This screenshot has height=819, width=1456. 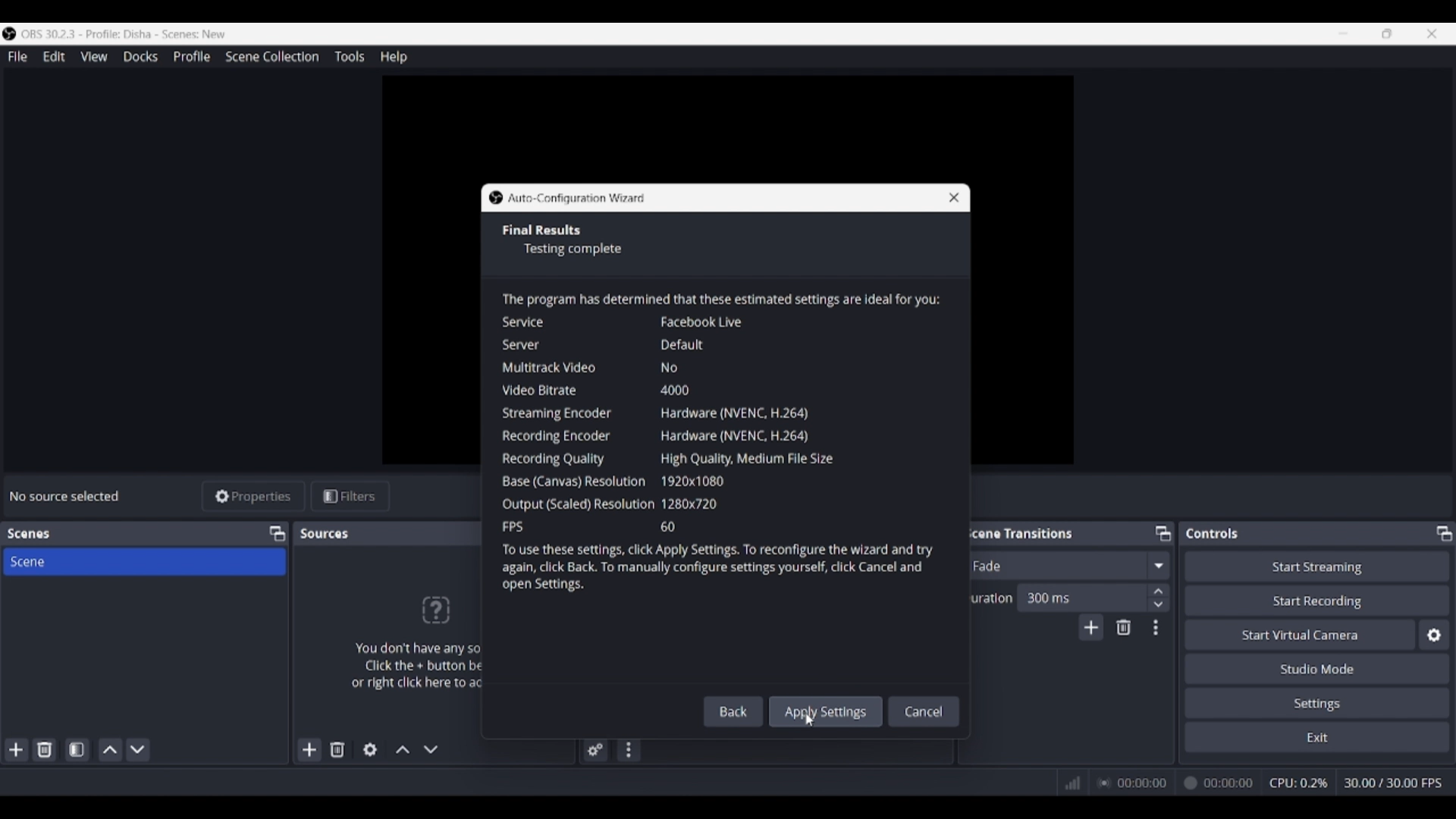 What do you see at coordinates (17, 750) in the screenshot?
I see `Add scene` at bounding box center [17, 750].